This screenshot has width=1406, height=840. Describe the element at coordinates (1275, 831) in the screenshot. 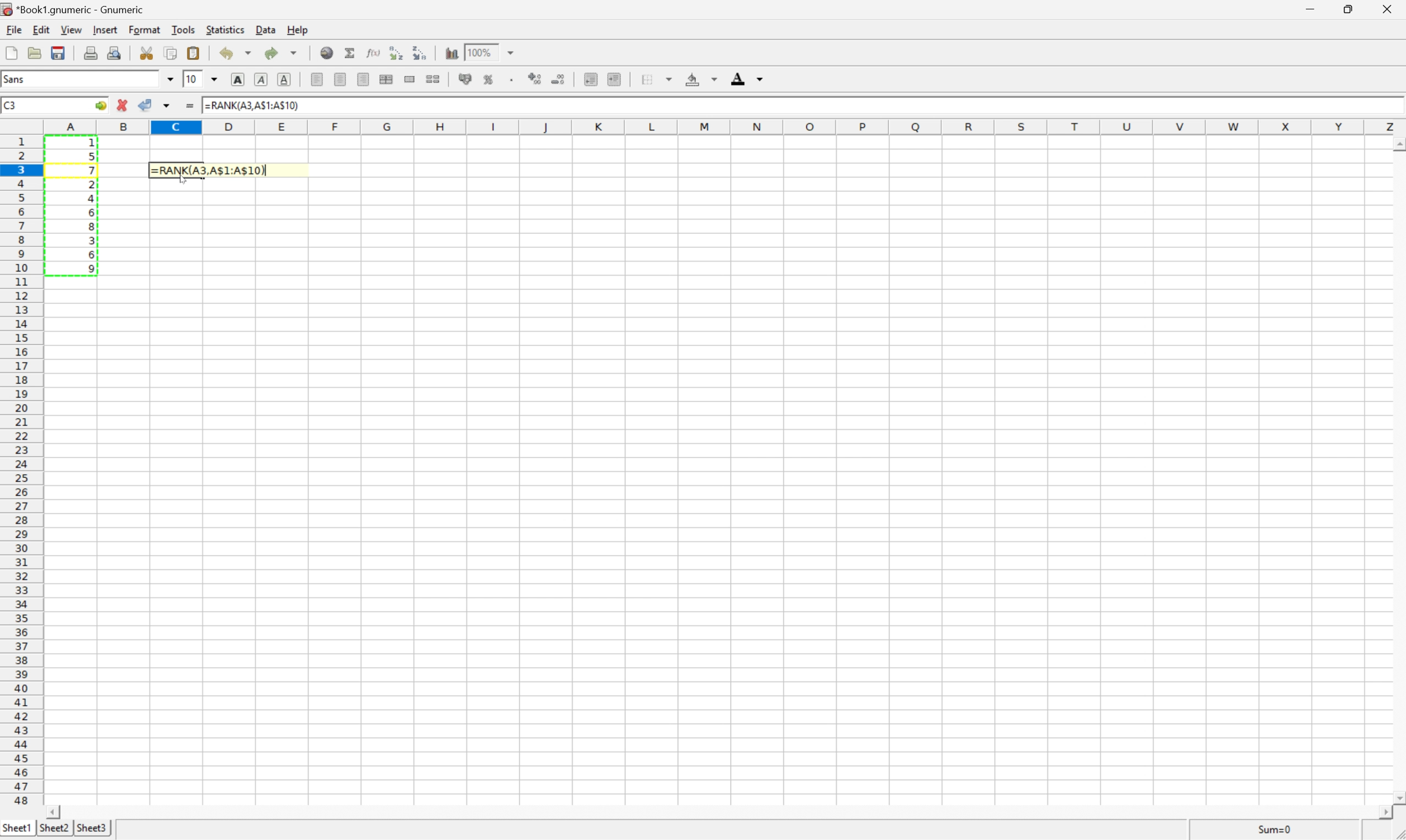

I see `Sum=1` at that location.